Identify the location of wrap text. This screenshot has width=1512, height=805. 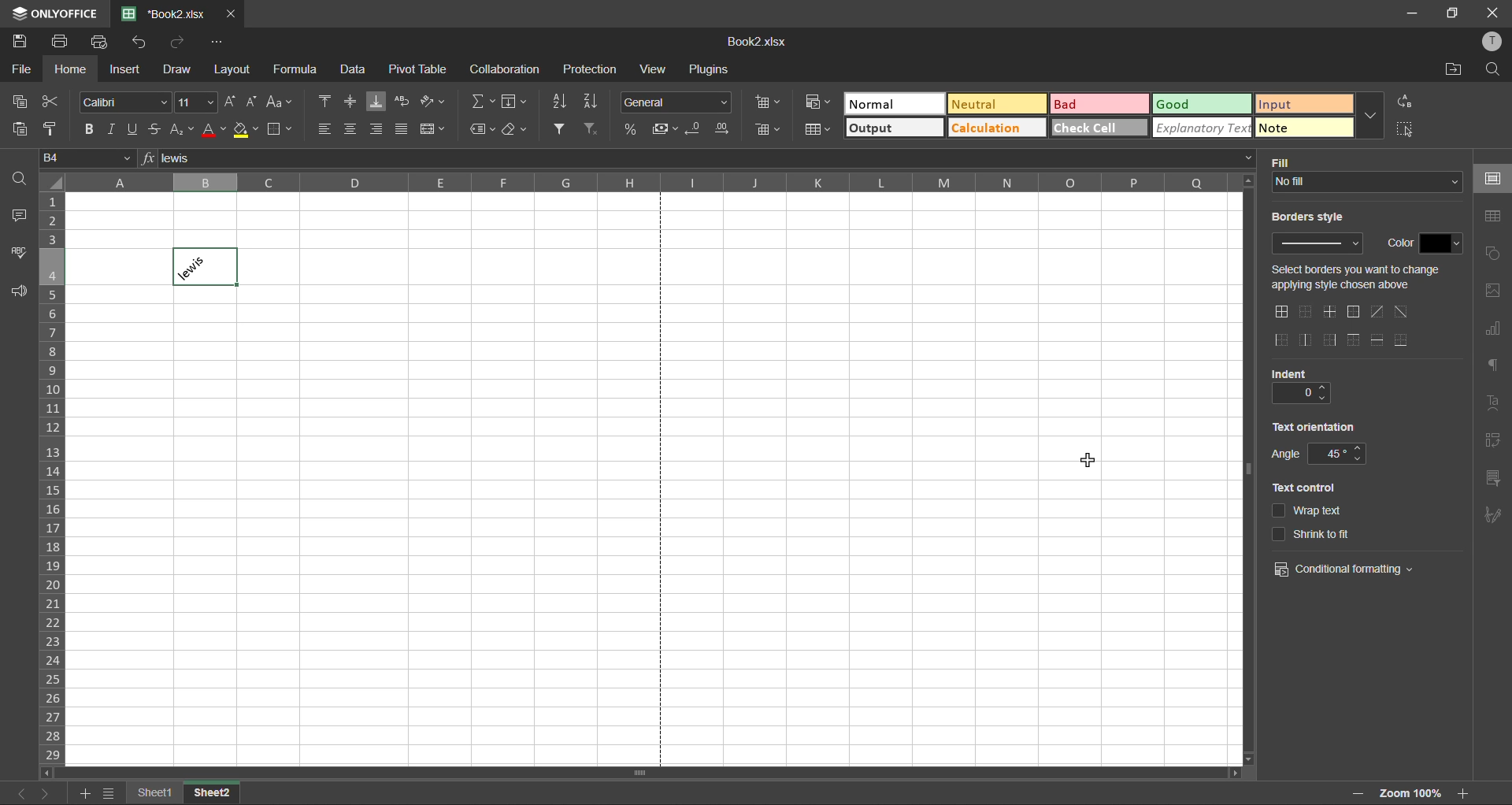
(402, 104).